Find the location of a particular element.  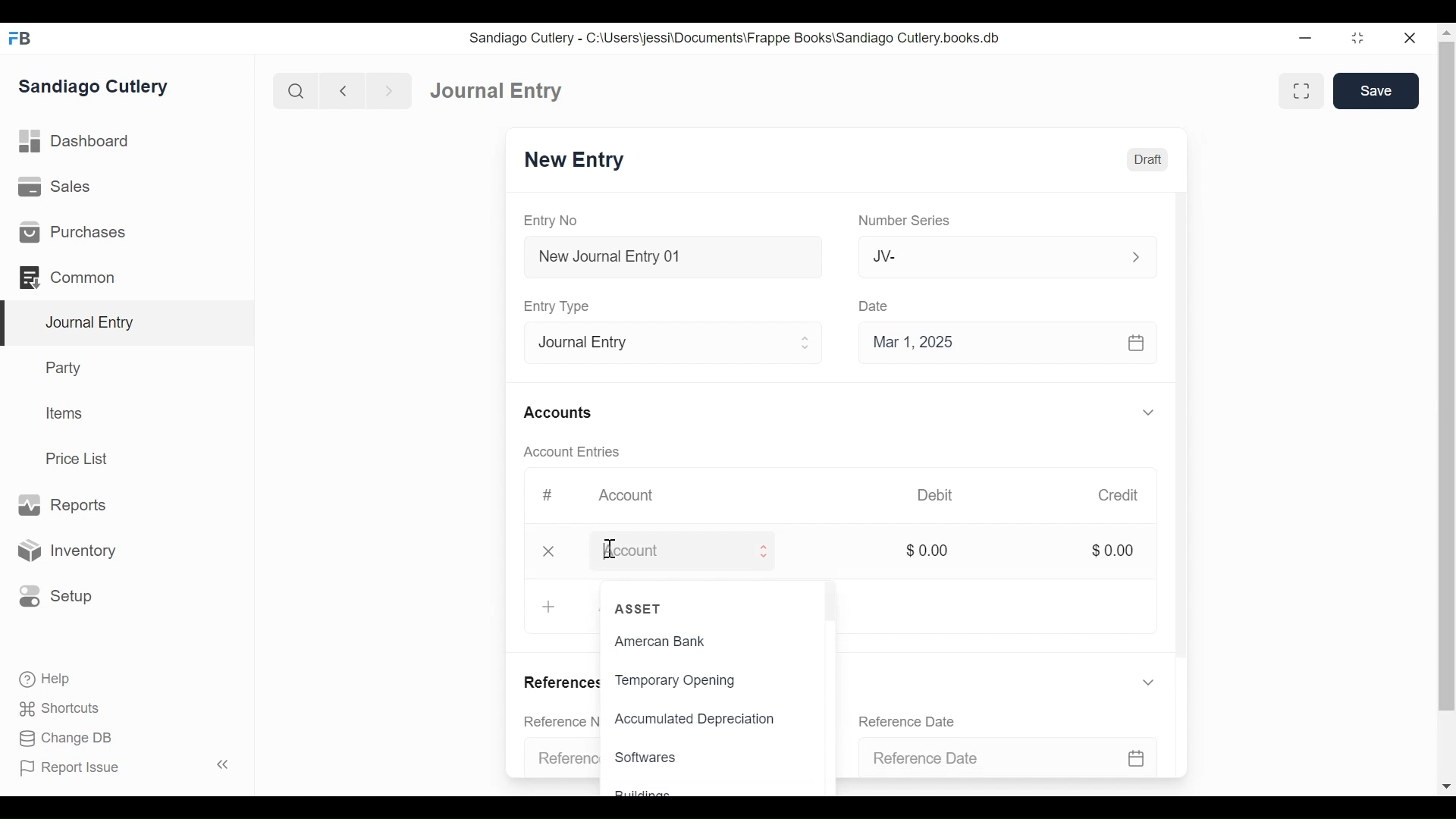

Draft is located at coordinates (1155, 159).